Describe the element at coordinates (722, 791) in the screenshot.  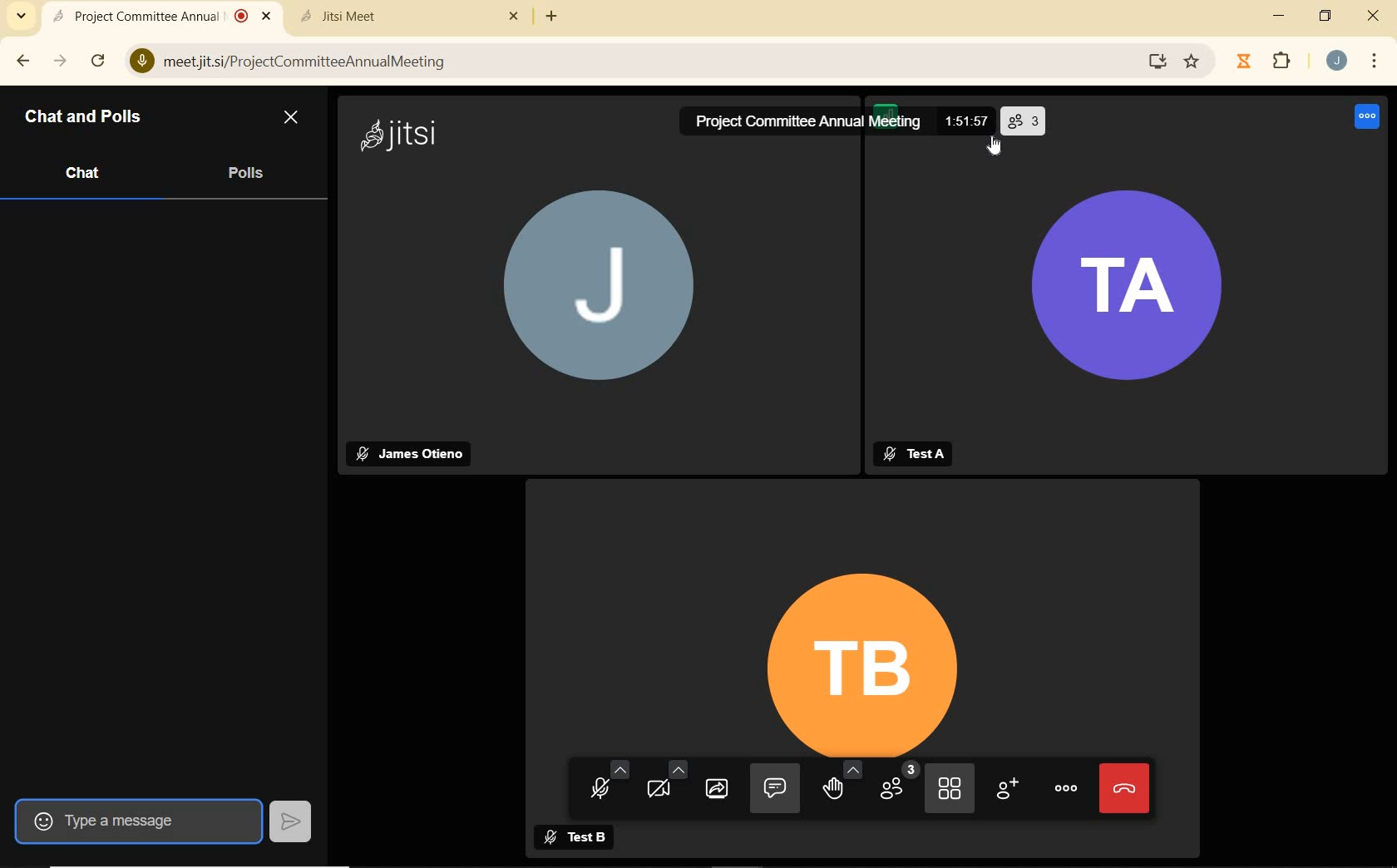
I see `start screen sharing` at that location.